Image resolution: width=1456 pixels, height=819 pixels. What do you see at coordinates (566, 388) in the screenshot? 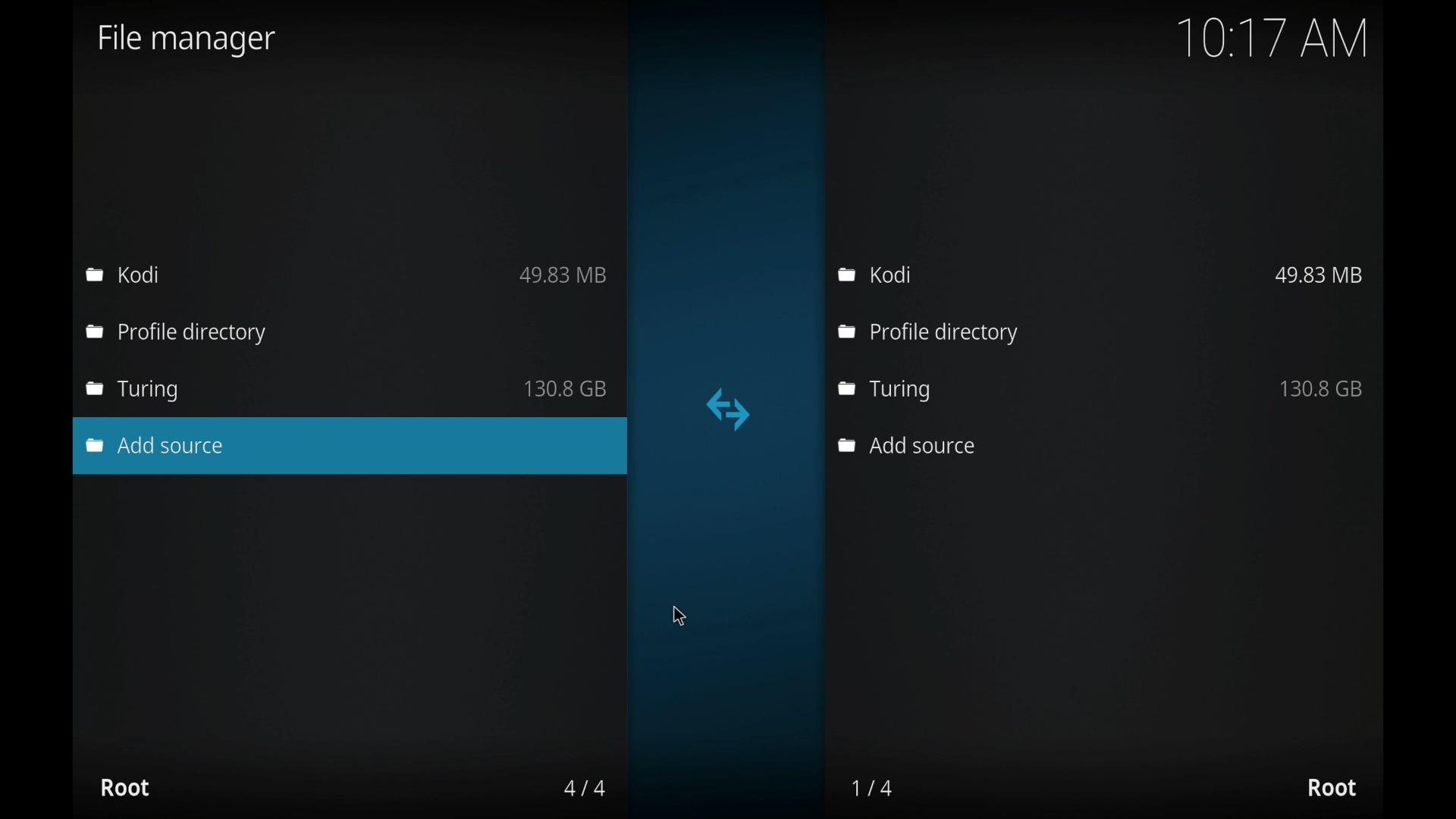
I see `130.8 GB` at bounding box center [566, 388].